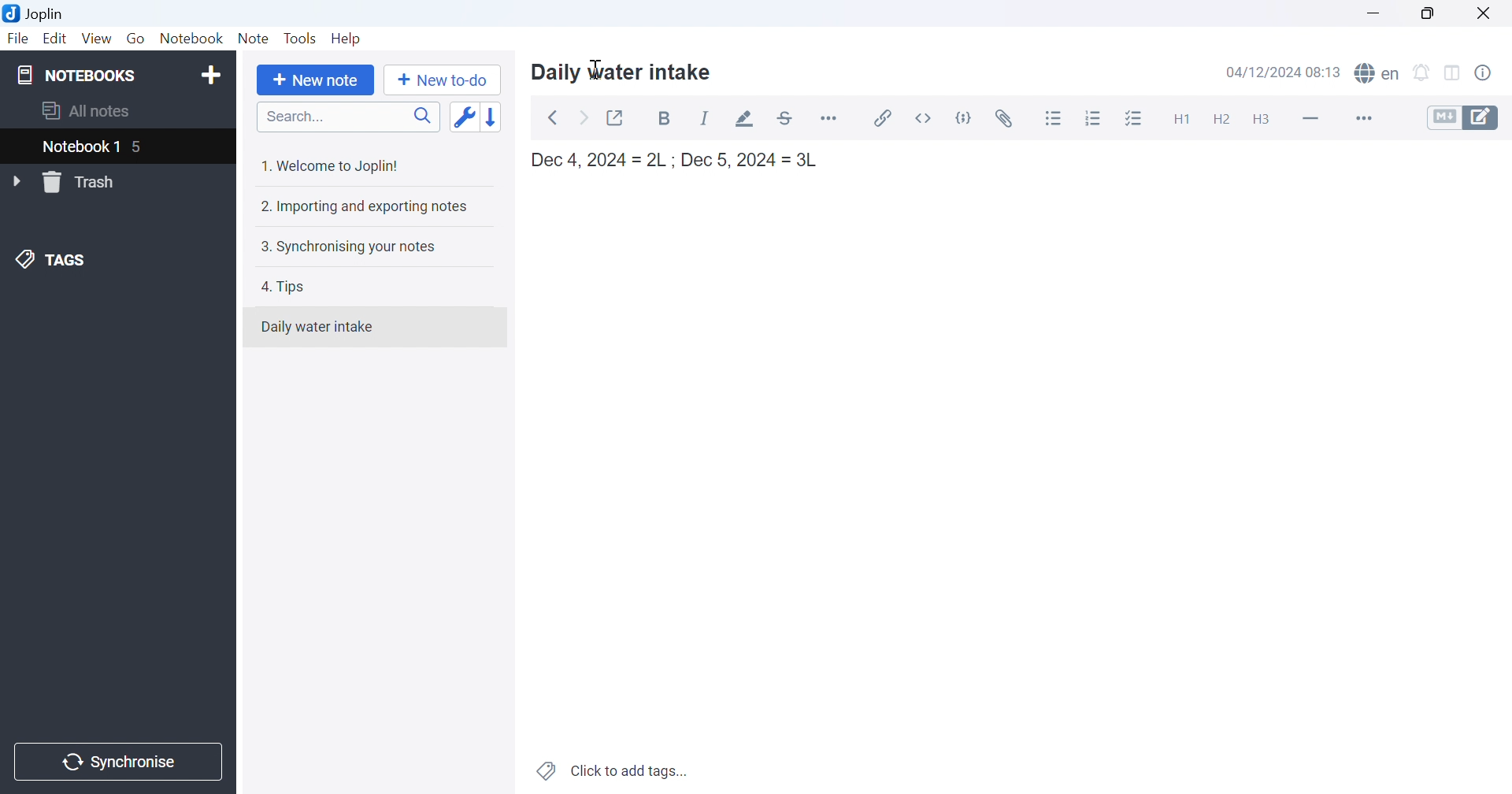  I want to click on Edit, so click(56, 39).